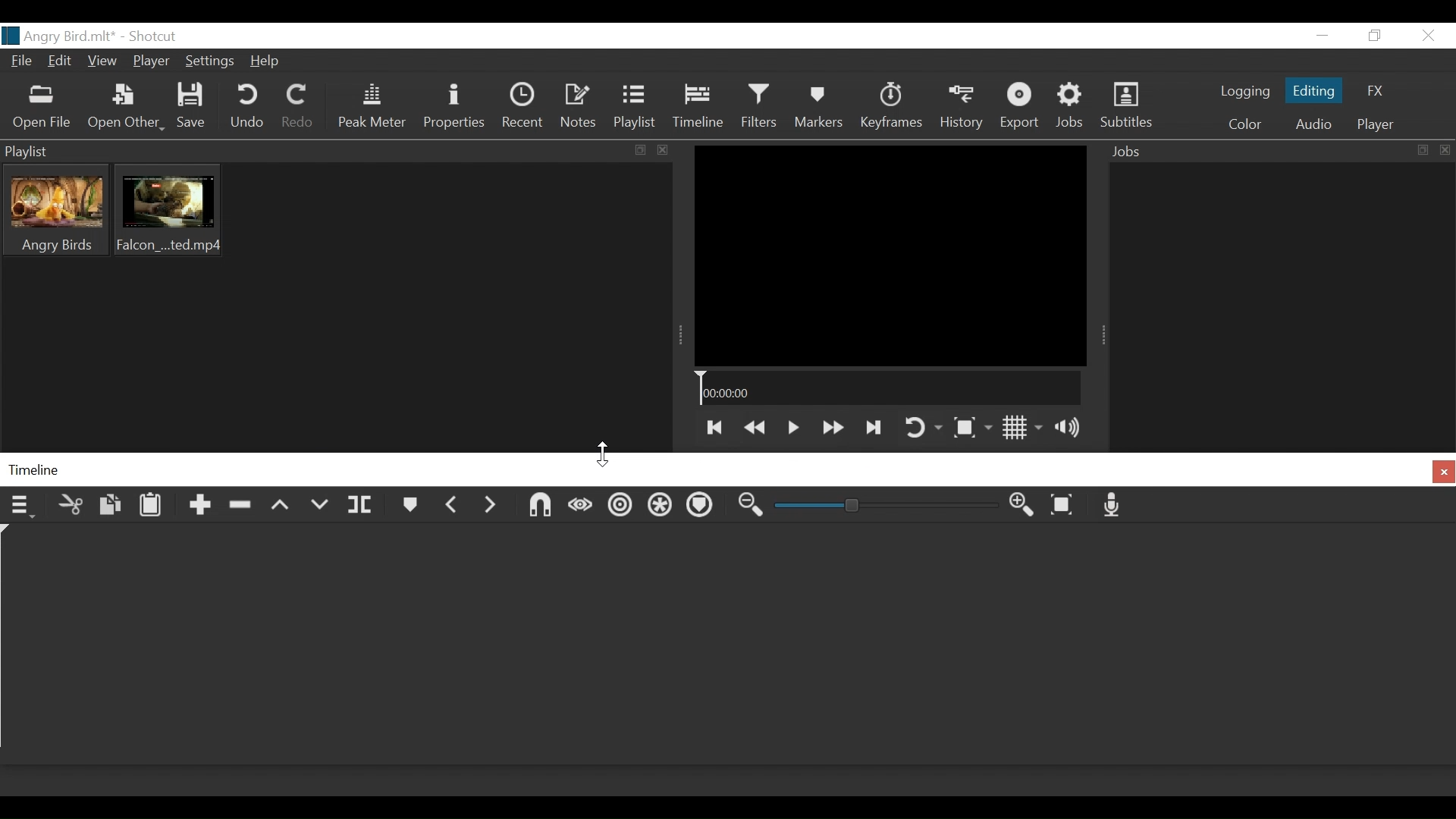 This screenshot has width=1456, height=819. Describe the element at coordinates (374, 108) in the screenshot. I see `Peak Meter` at that location.